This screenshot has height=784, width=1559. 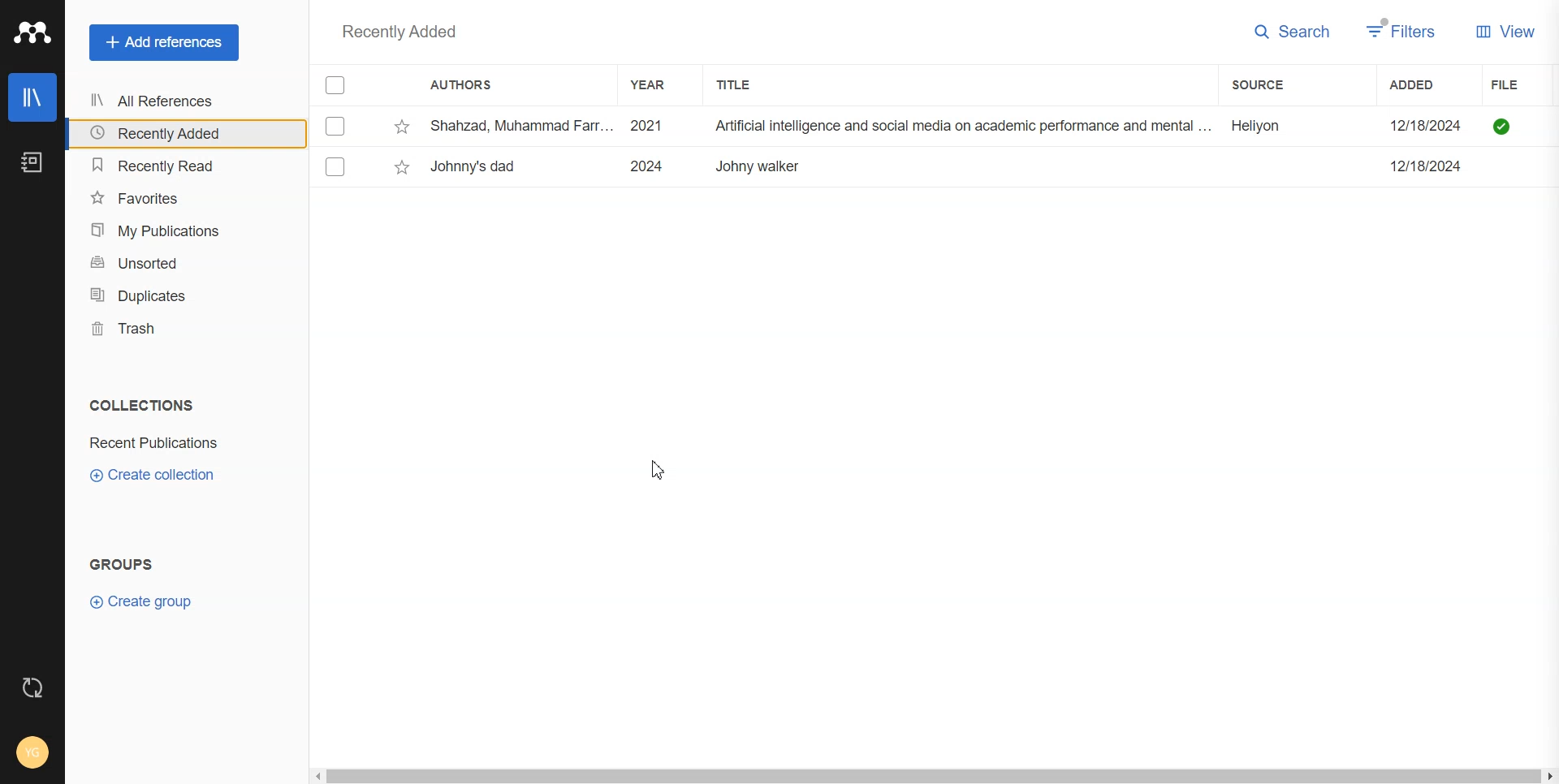 What do you see at coordinates (32, 32) in the screenshot?
I see `Logo` at bounding box center [32, 32].